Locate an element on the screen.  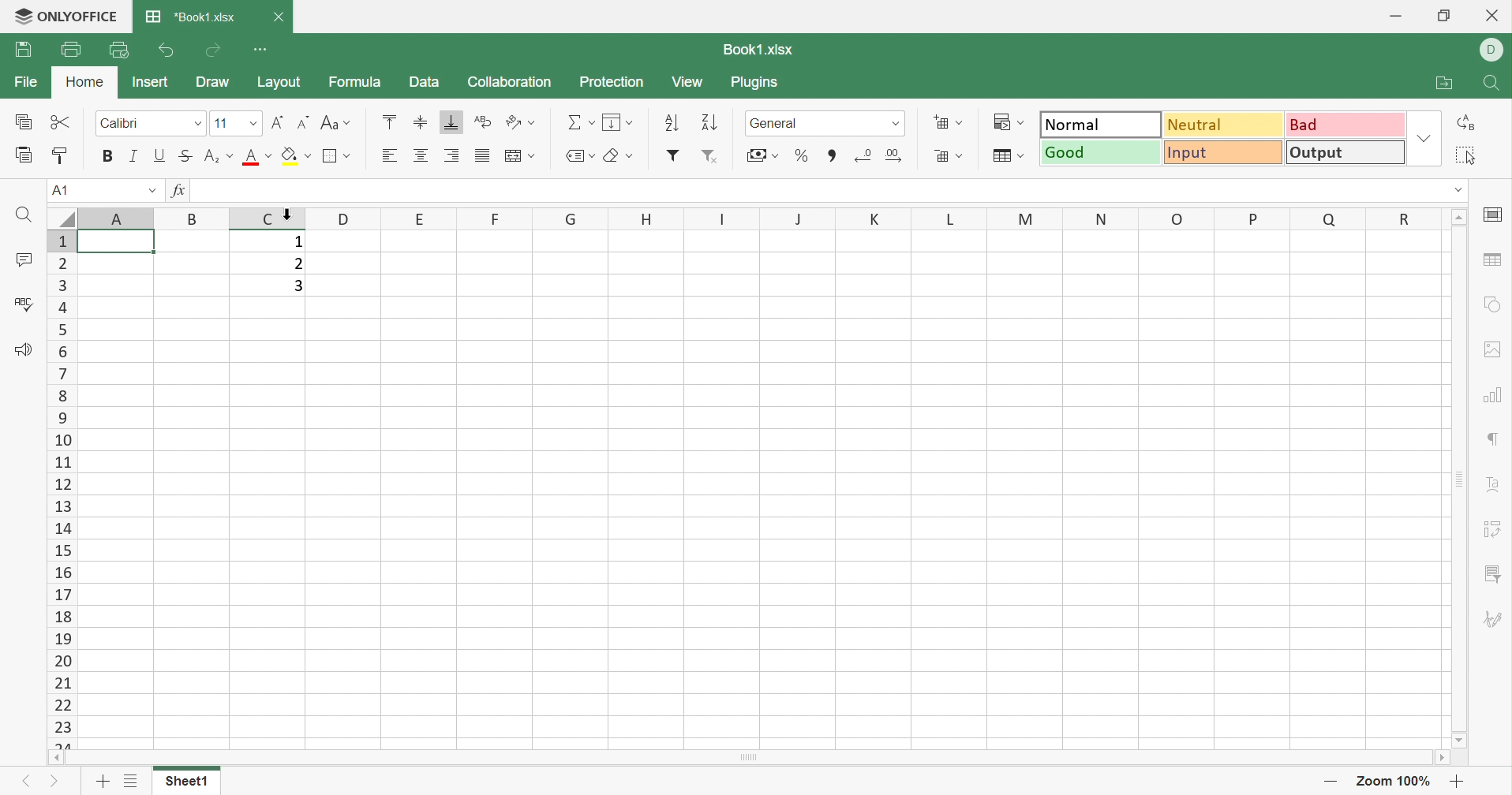
Conditional formatting is located at coordinates (1001, 121).